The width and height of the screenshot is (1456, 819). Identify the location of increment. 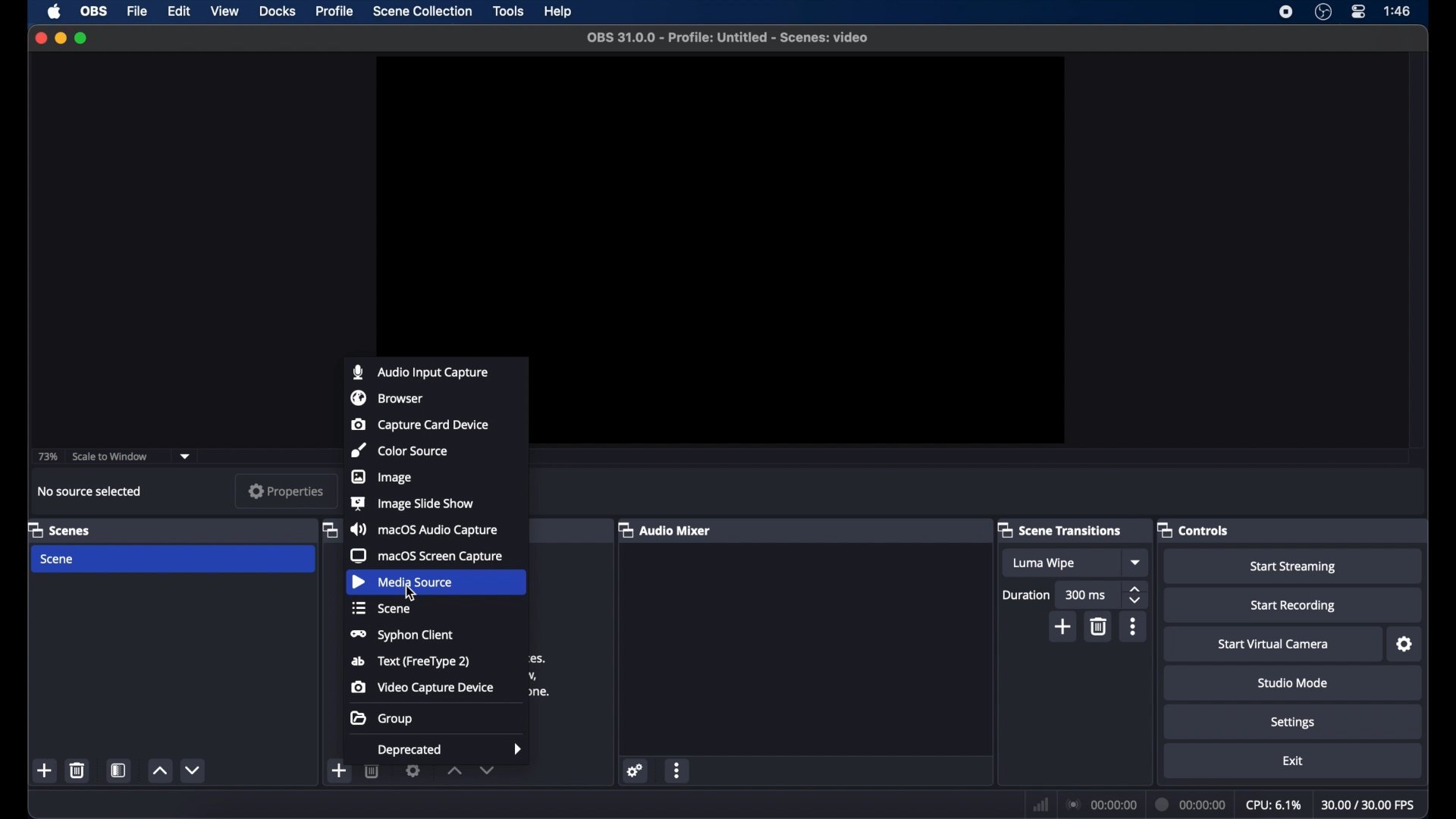
(453, 770).